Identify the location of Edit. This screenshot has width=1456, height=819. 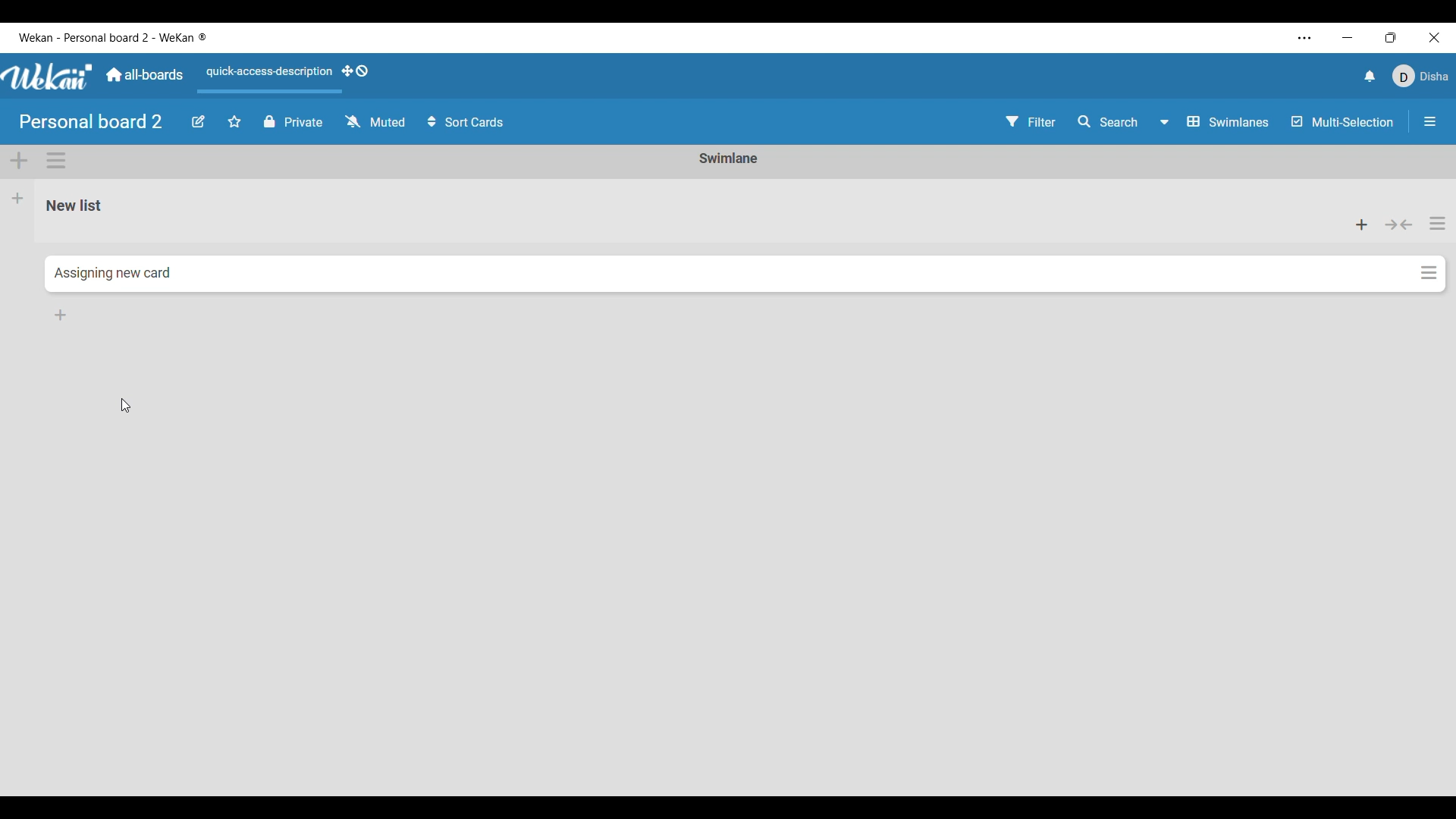
(199, 122).